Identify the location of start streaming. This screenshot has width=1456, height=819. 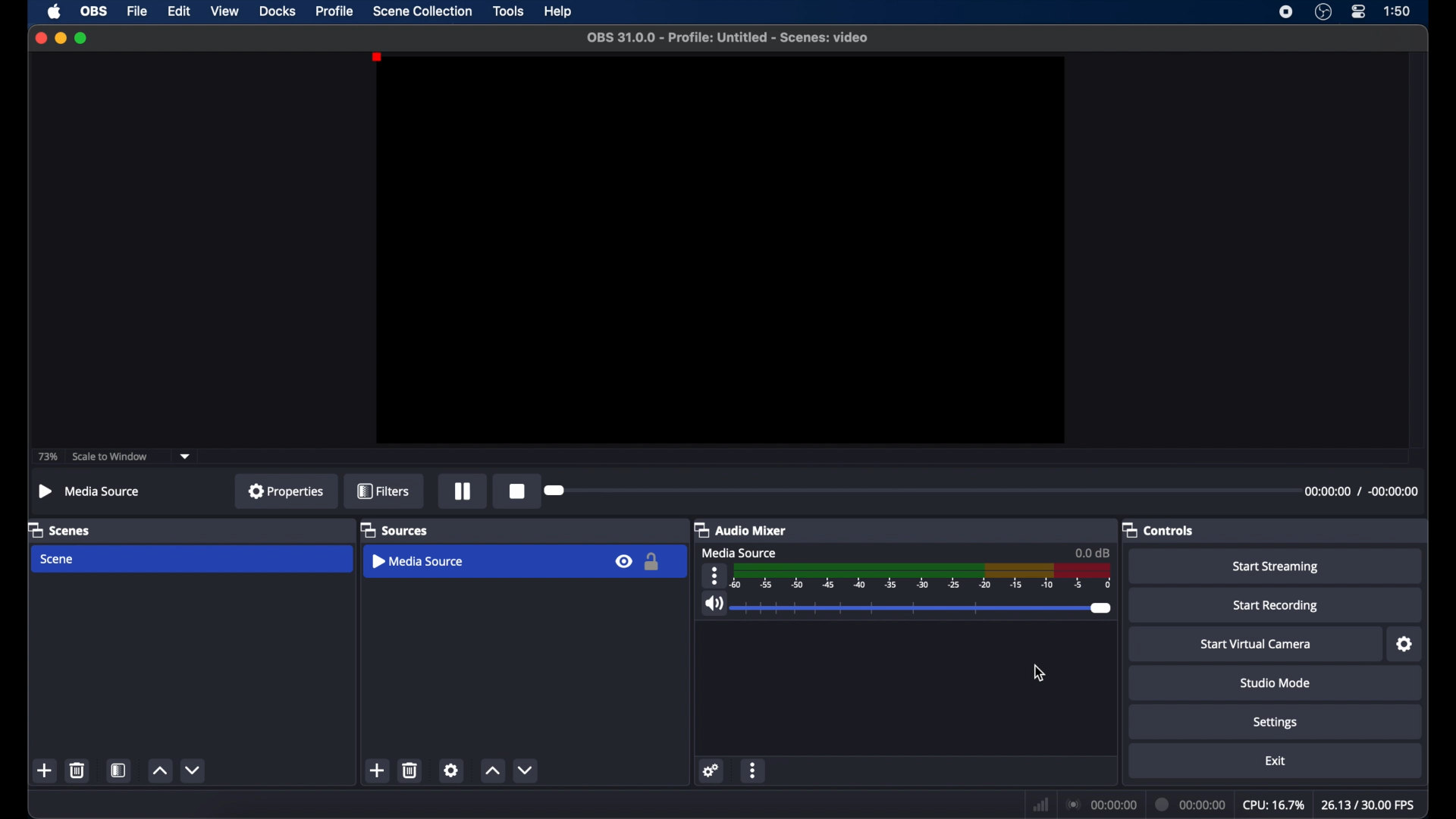
(1277, 567).